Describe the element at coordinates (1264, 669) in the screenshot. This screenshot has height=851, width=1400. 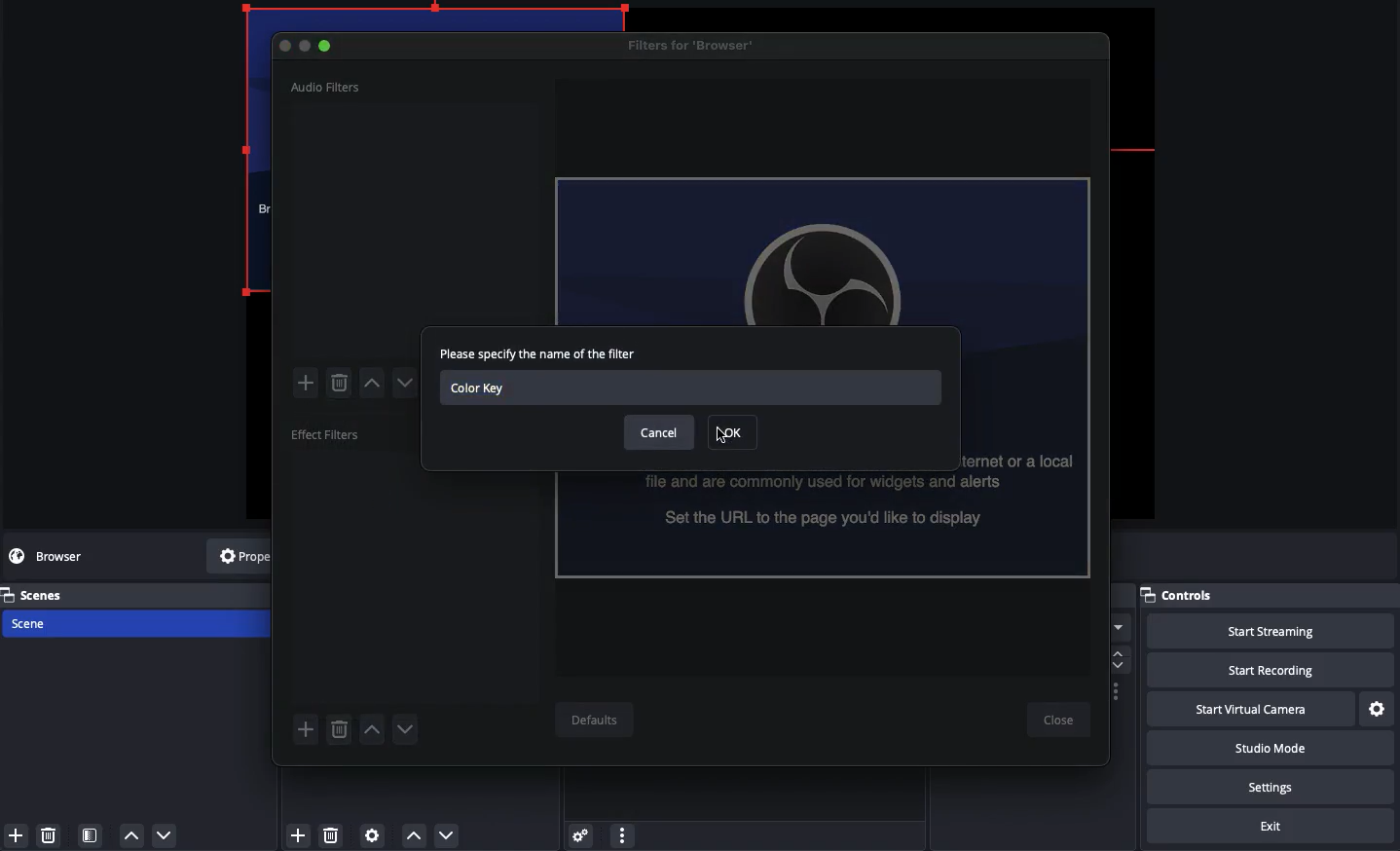
I see `Start recording` at that location.